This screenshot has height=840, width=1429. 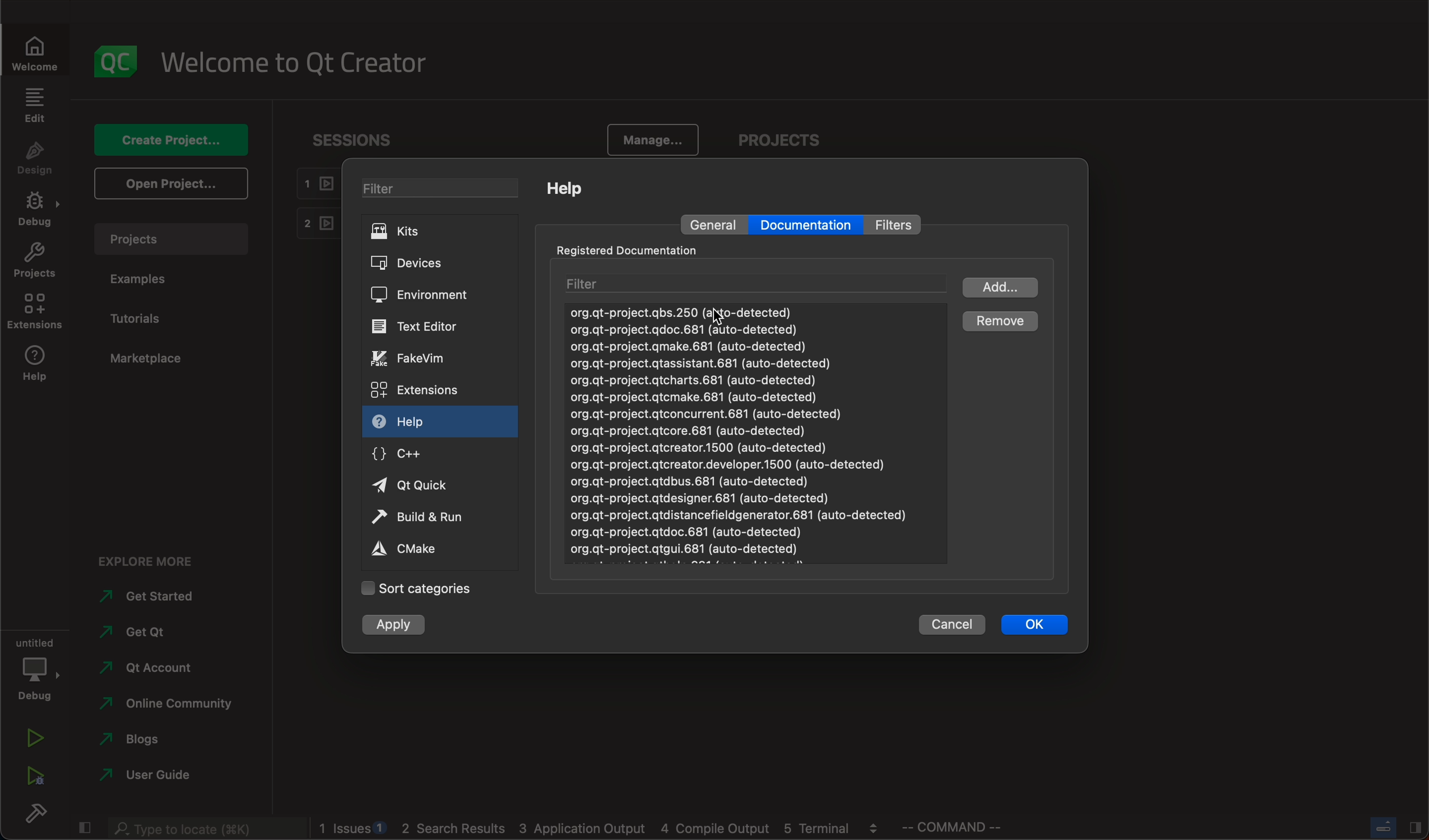 I want to click on debug, so click(x=38, y=667).